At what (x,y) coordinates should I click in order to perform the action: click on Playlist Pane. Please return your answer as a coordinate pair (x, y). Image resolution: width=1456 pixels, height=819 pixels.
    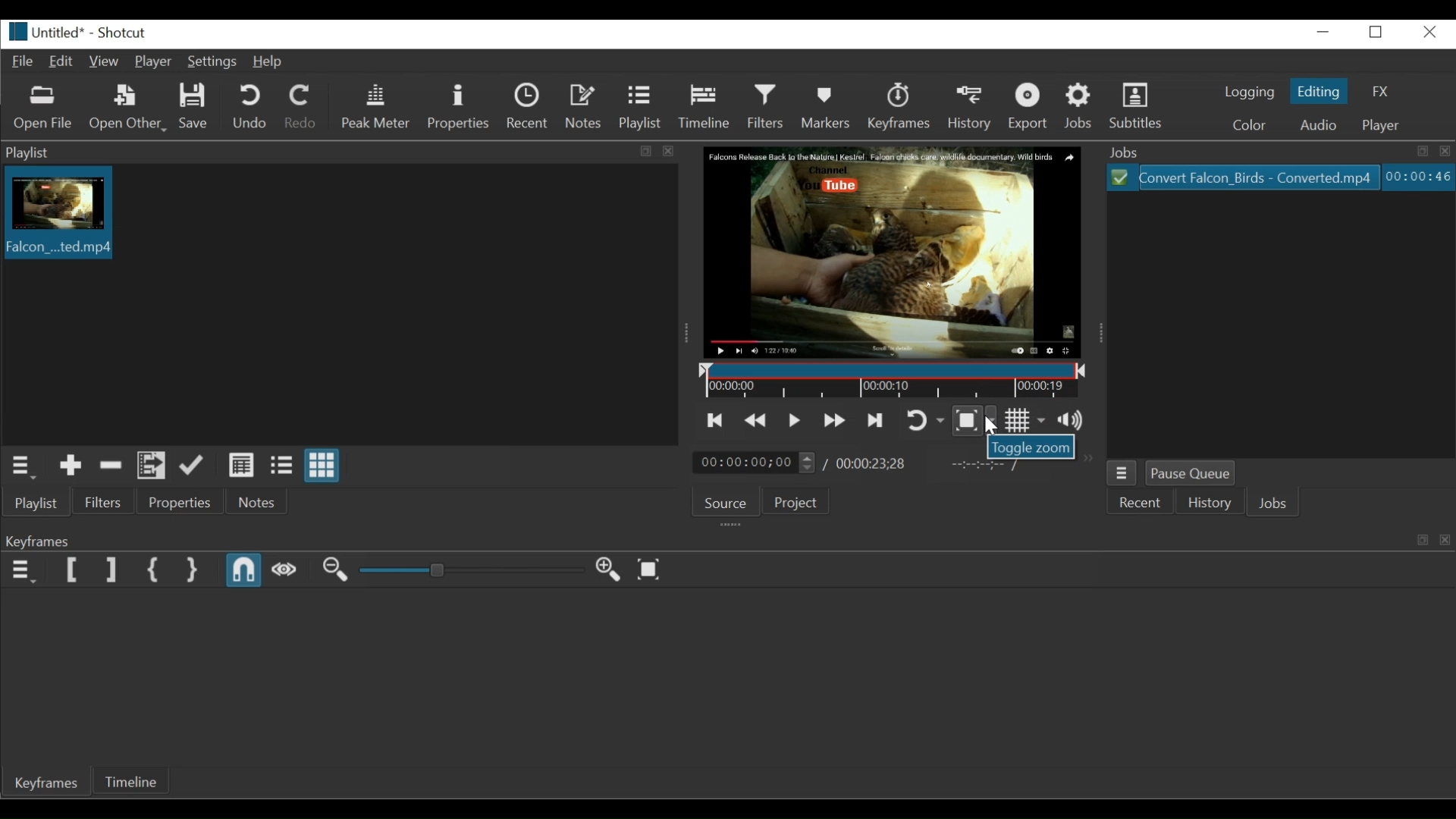
    Looking at the image, I should click on (342, 152).